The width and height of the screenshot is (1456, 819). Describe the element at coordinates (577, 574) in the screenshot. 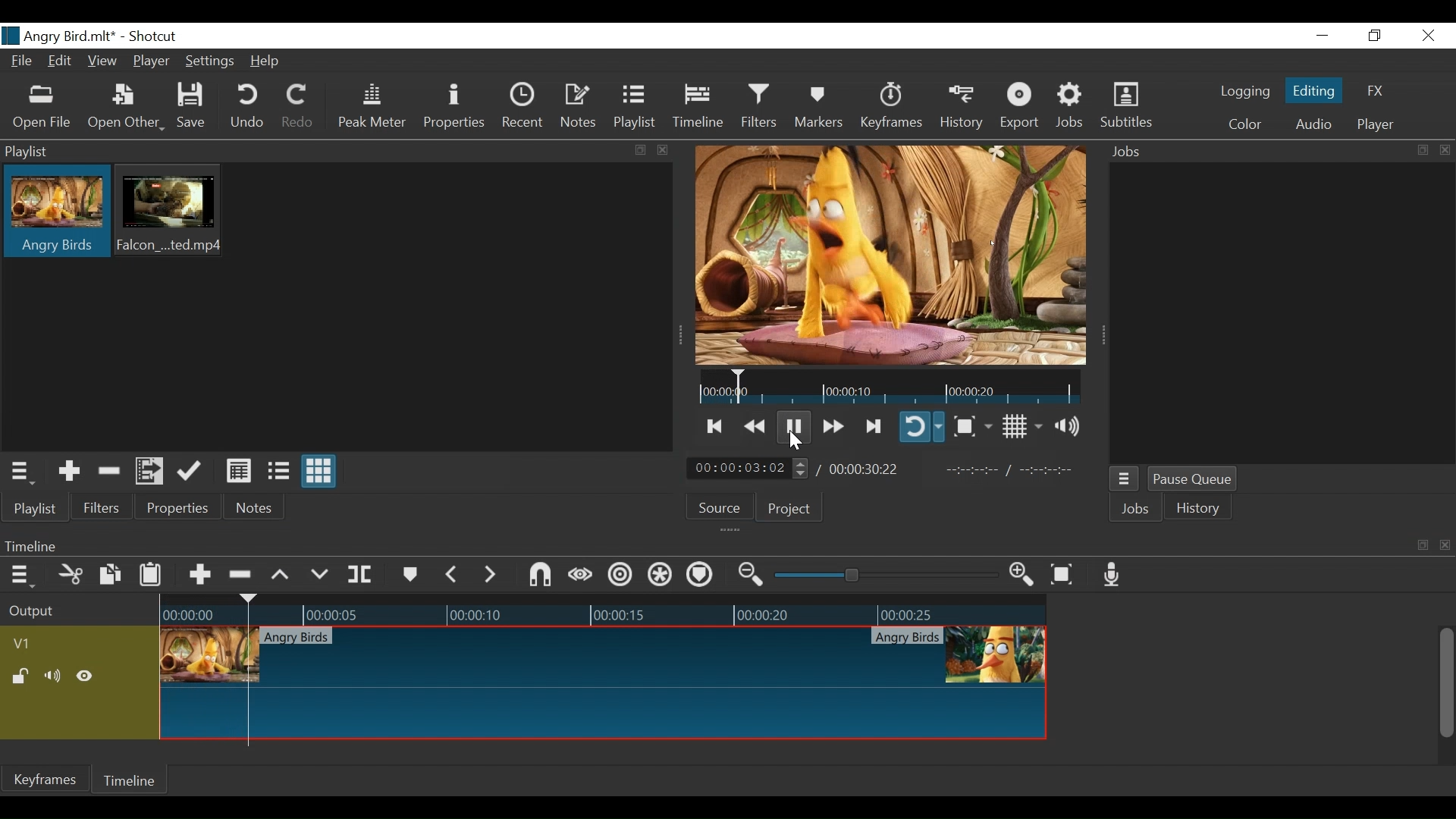

I see `Scrub while dragging` at that location.